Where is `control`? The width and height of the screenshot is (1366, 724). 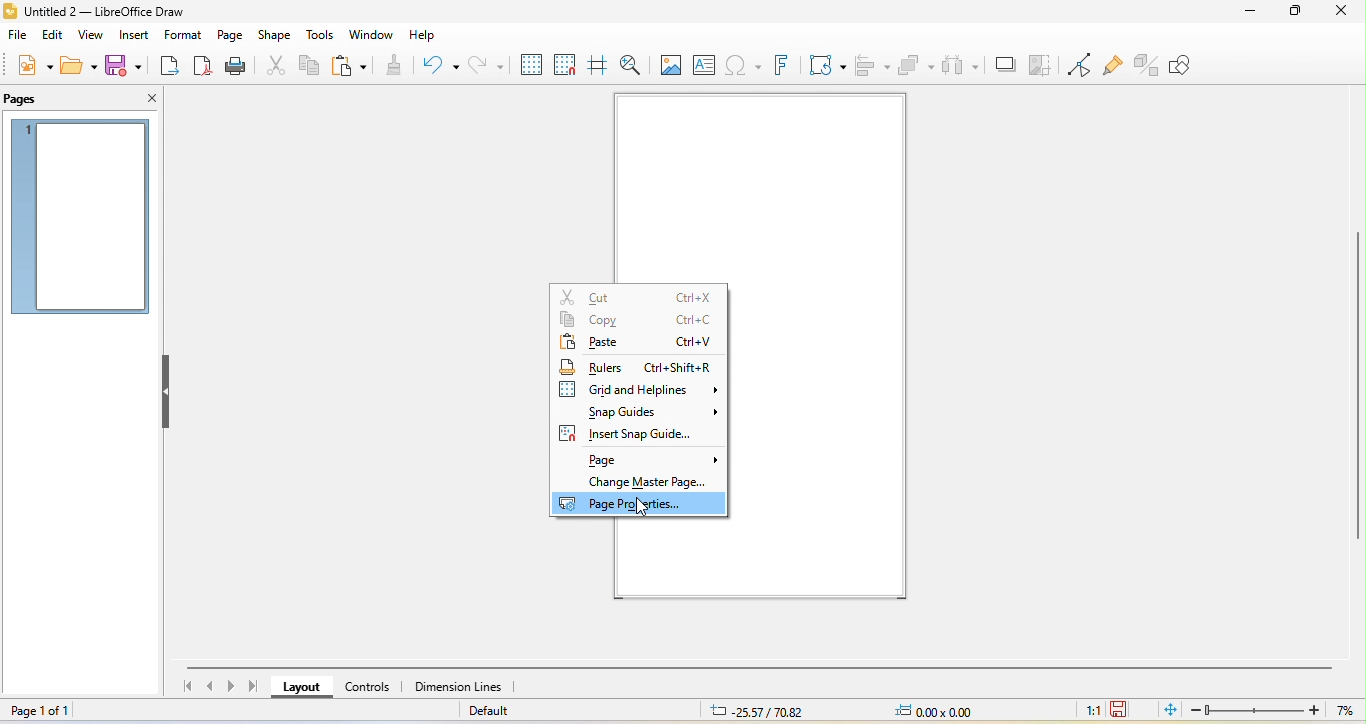 control is located at coordinates (368, 690).